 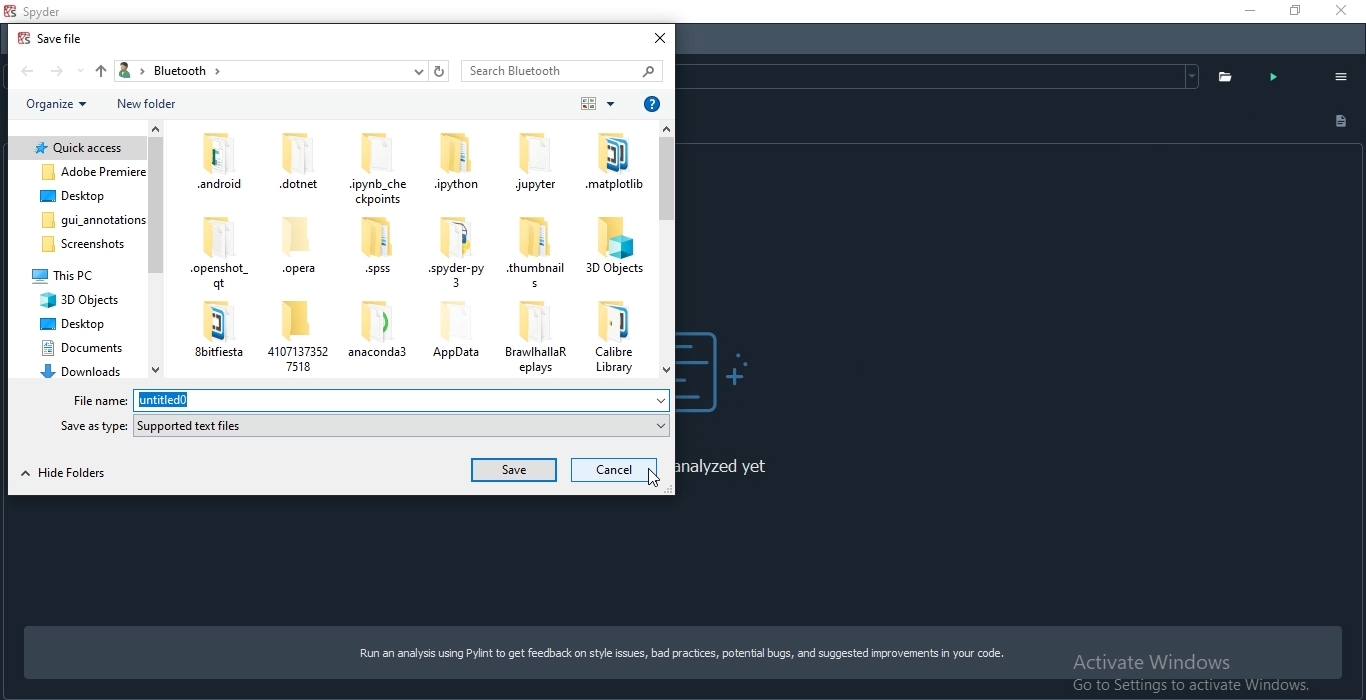 I want to click on close, so click(x=659, y=37).